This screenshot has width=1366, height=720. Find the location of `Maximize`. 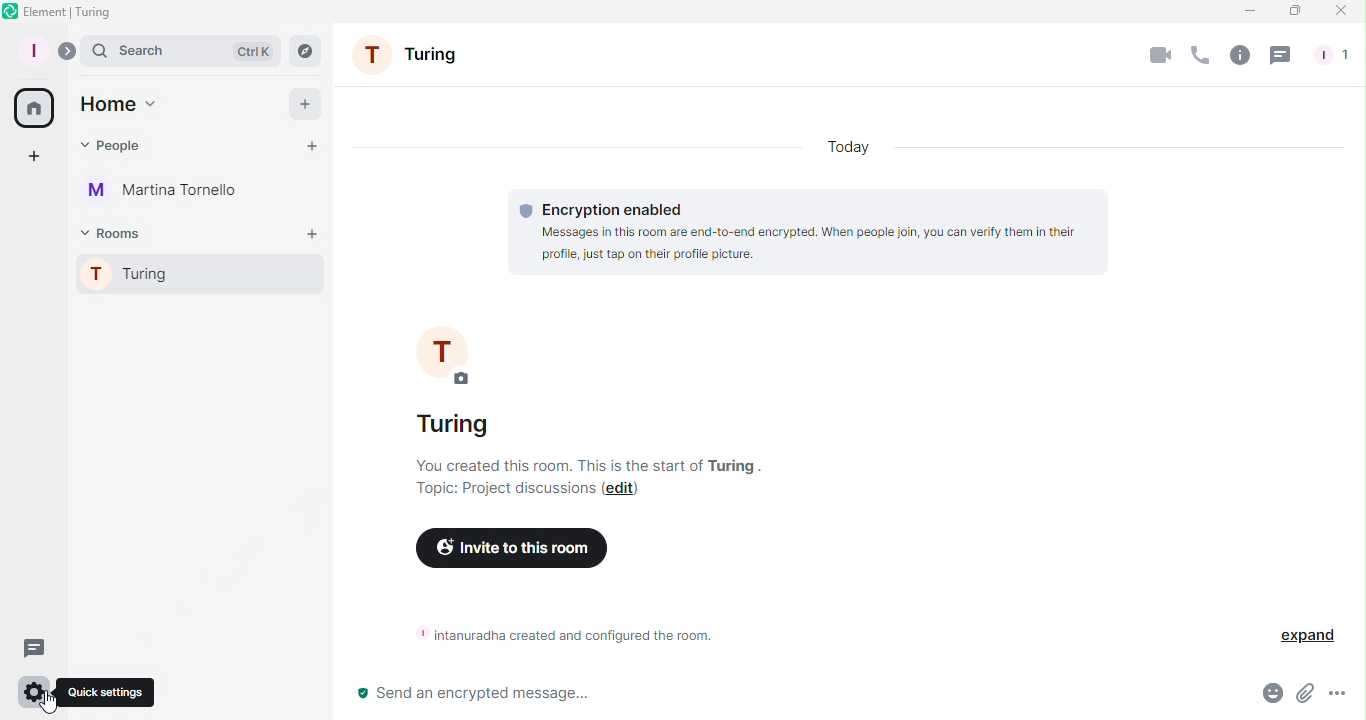

Maximize is located at coordinates (1296, 11).